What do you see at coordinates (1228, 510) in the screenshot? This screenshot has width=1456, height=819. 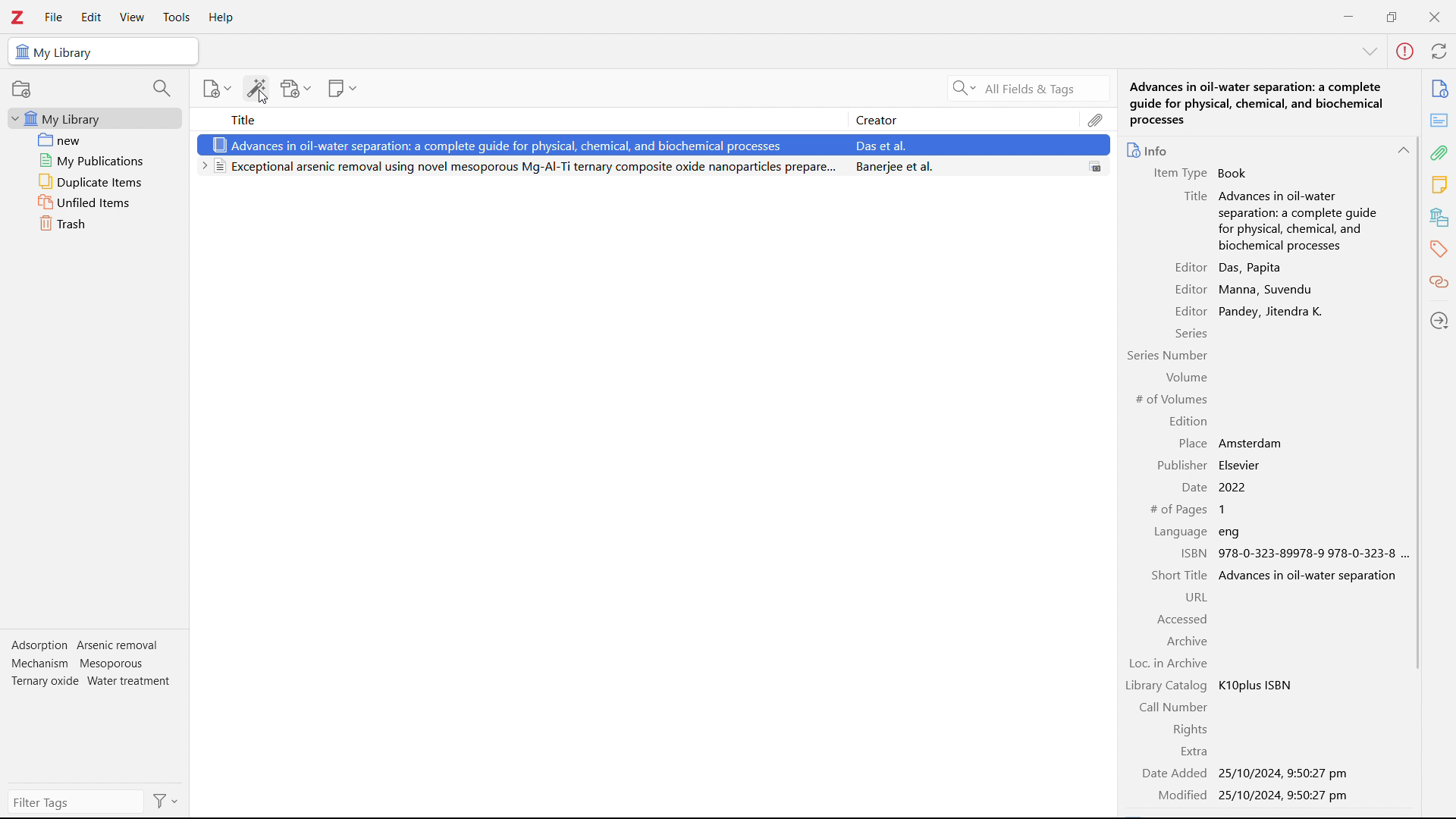 I see `1` at bounding box center [1228, 510].